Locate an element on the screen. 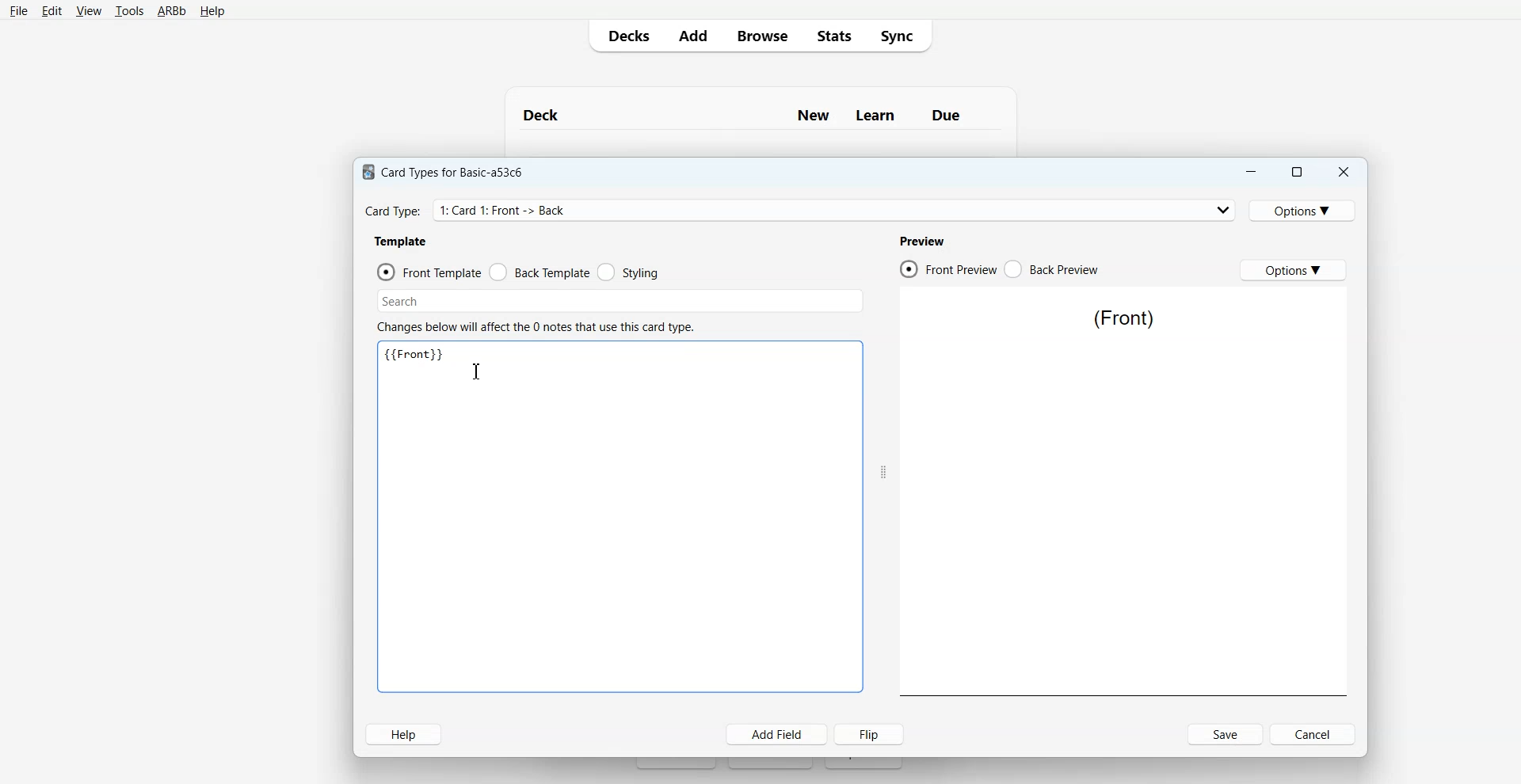 This screenshot has height=784, width=1521. Tools is located at coordinates (129, 12).